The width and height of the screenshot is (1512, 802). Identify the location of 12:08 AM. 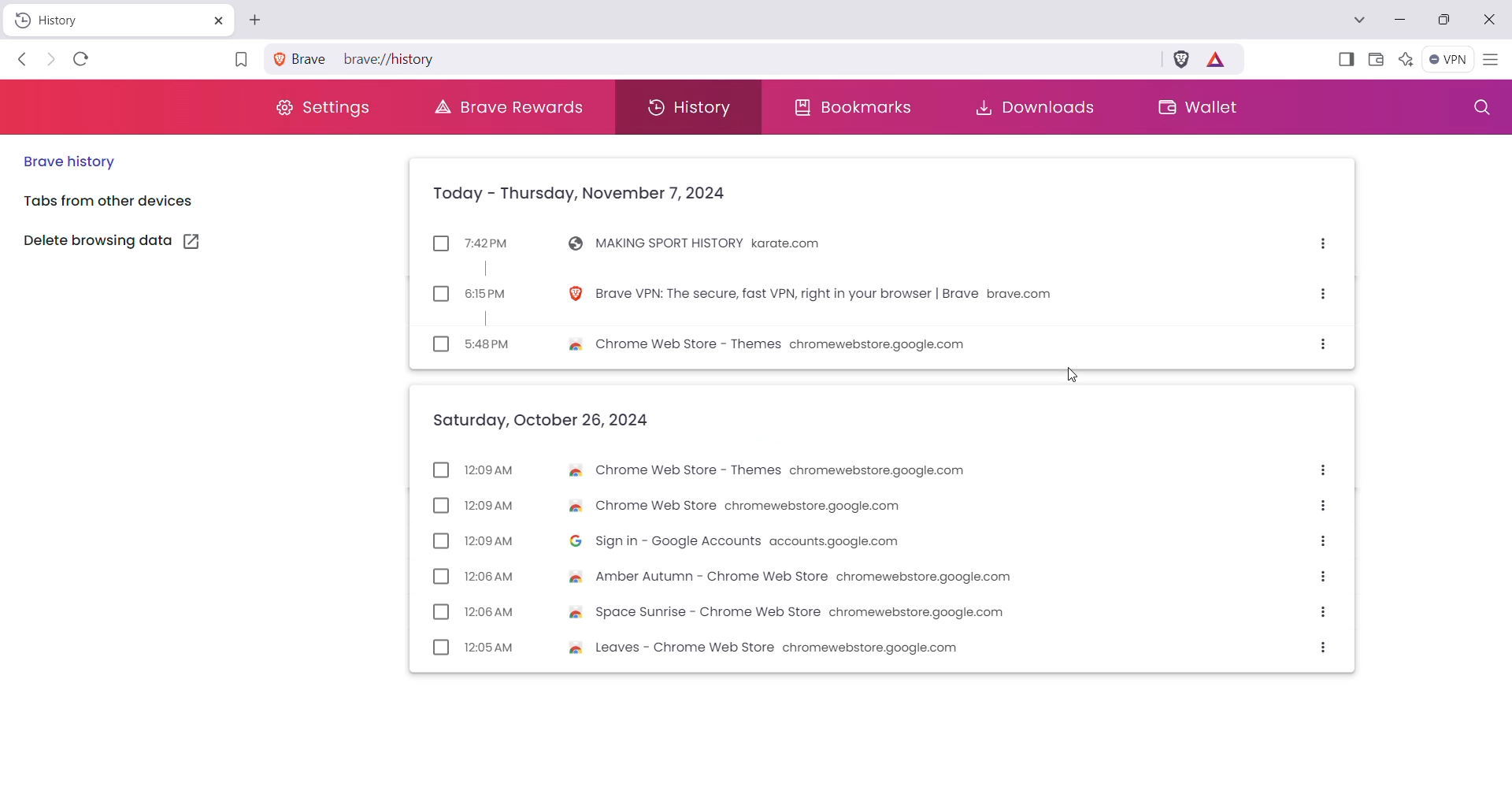
(492, 613).